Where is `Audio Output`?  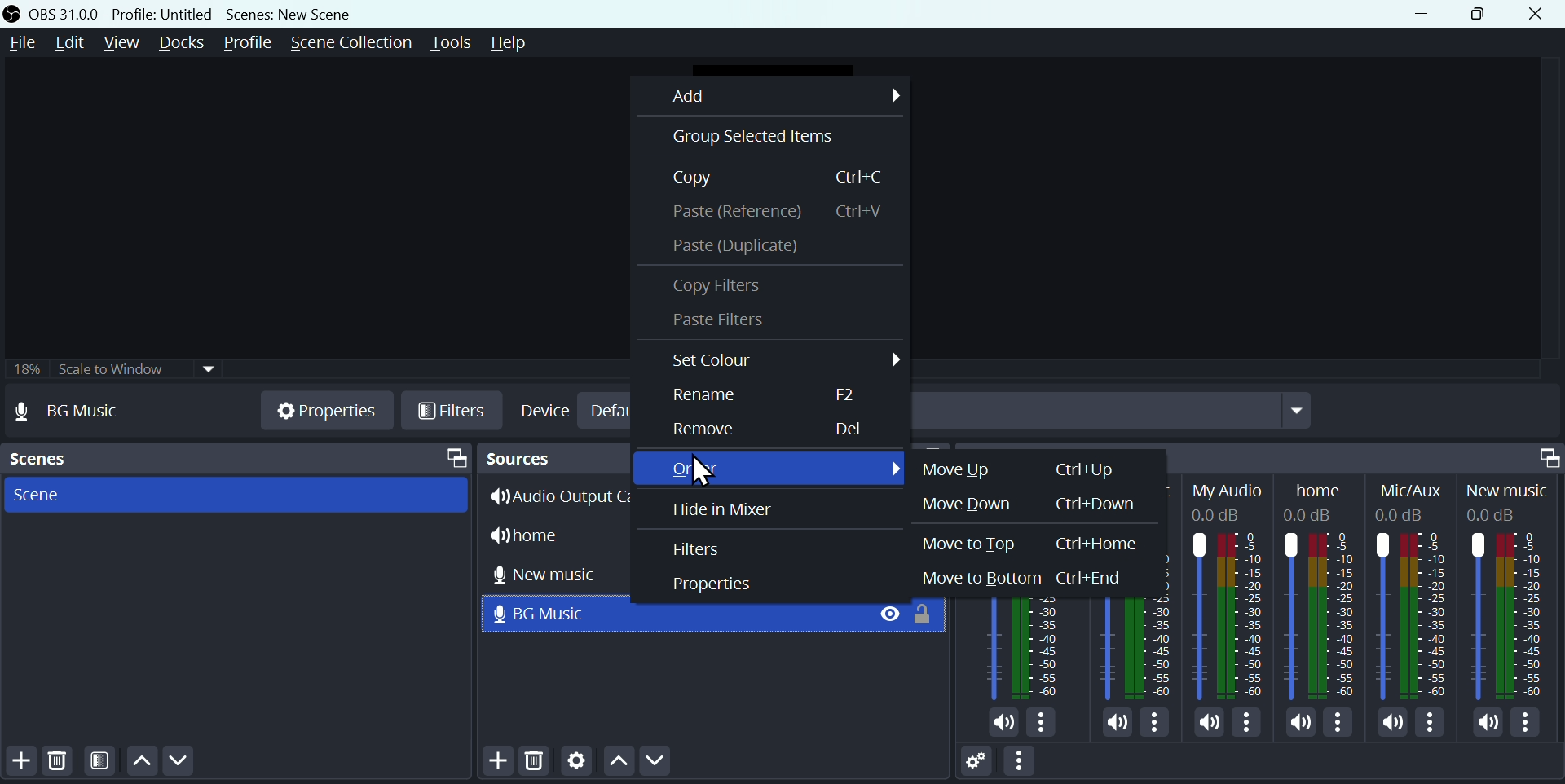
Audio Output is located at coordinates (1025, 647).